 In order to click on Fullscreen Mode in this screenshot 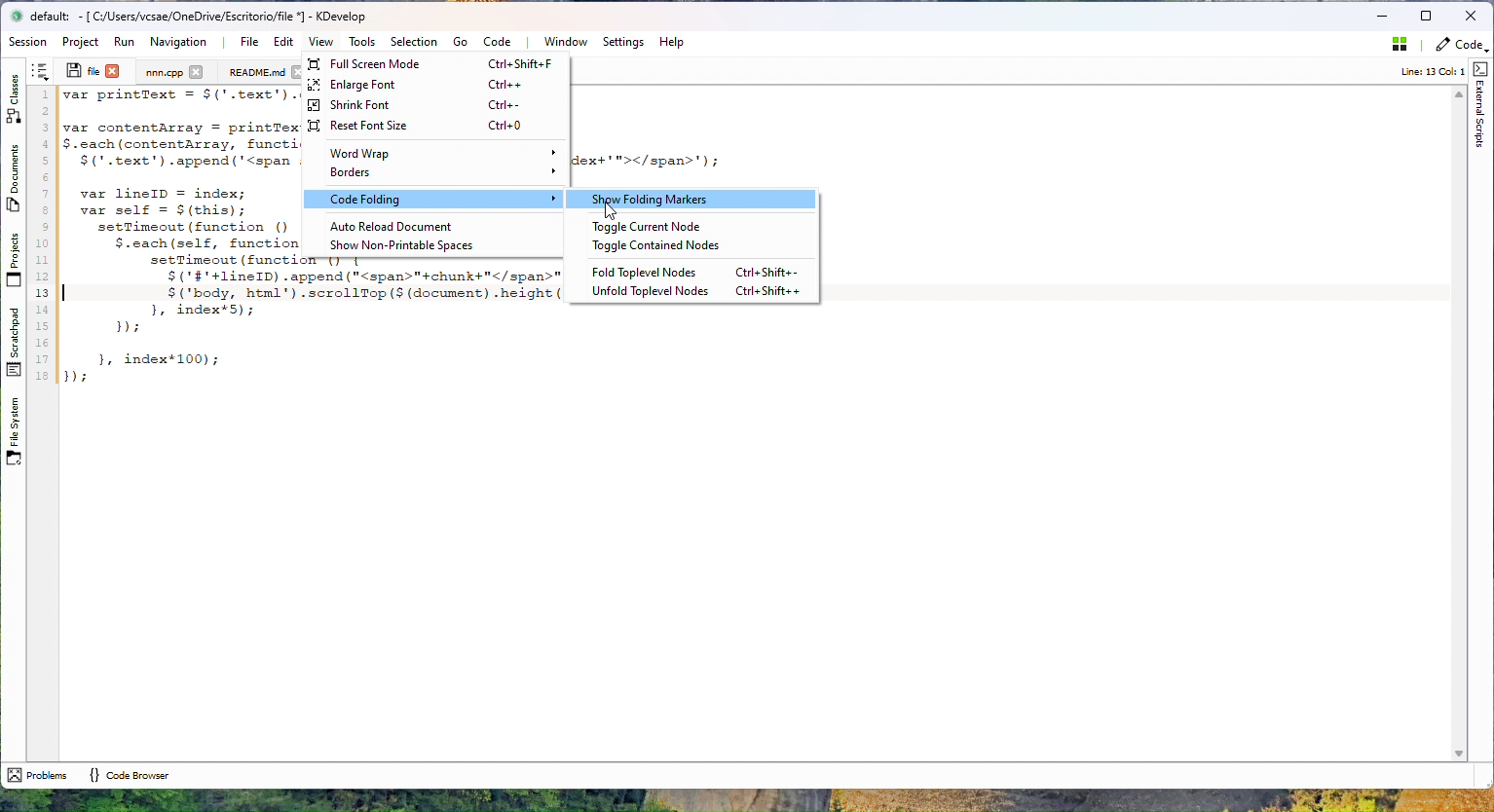, I will do `click(434, 64)`.